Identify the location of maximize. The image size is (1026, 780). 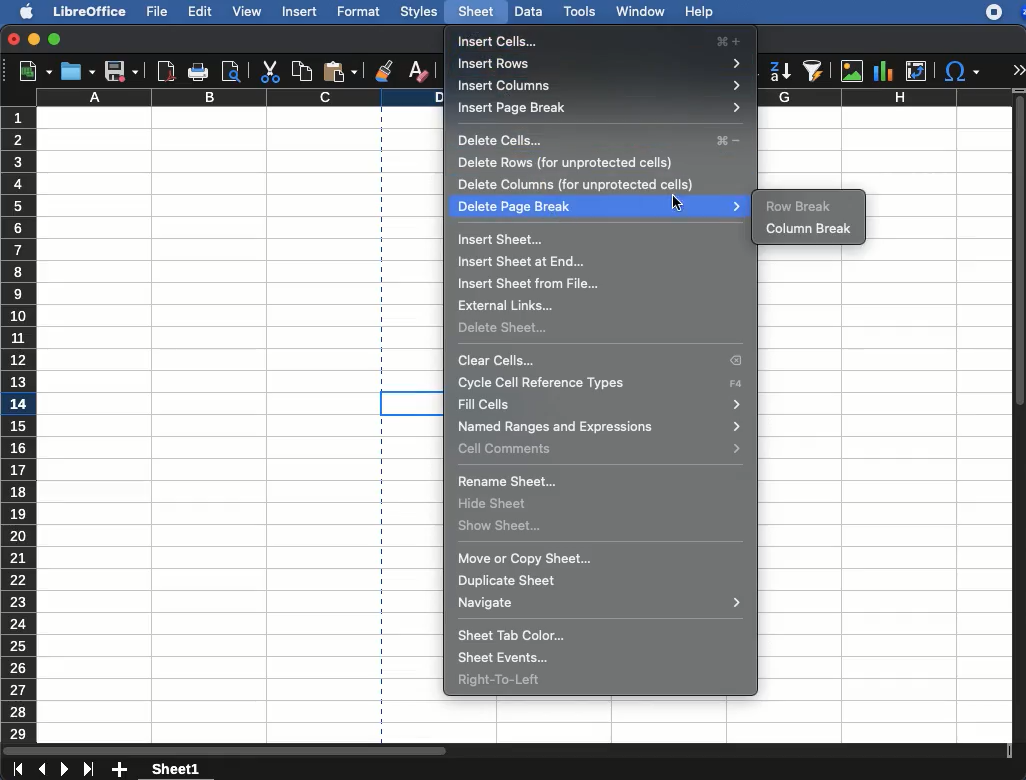
(54, 39).